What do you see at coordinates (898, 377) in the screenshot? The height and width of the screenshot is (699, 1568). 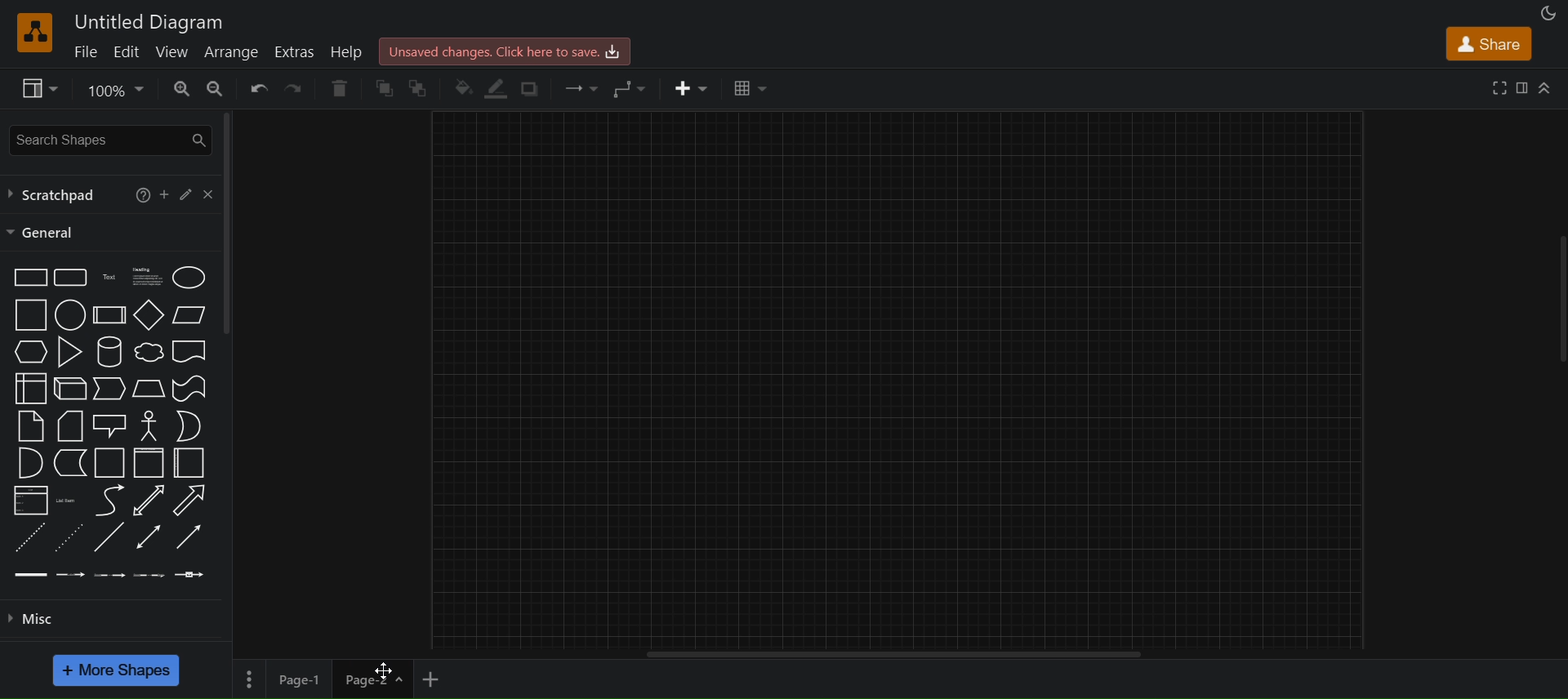 I see `canvas` at bounding box center [898, 377].